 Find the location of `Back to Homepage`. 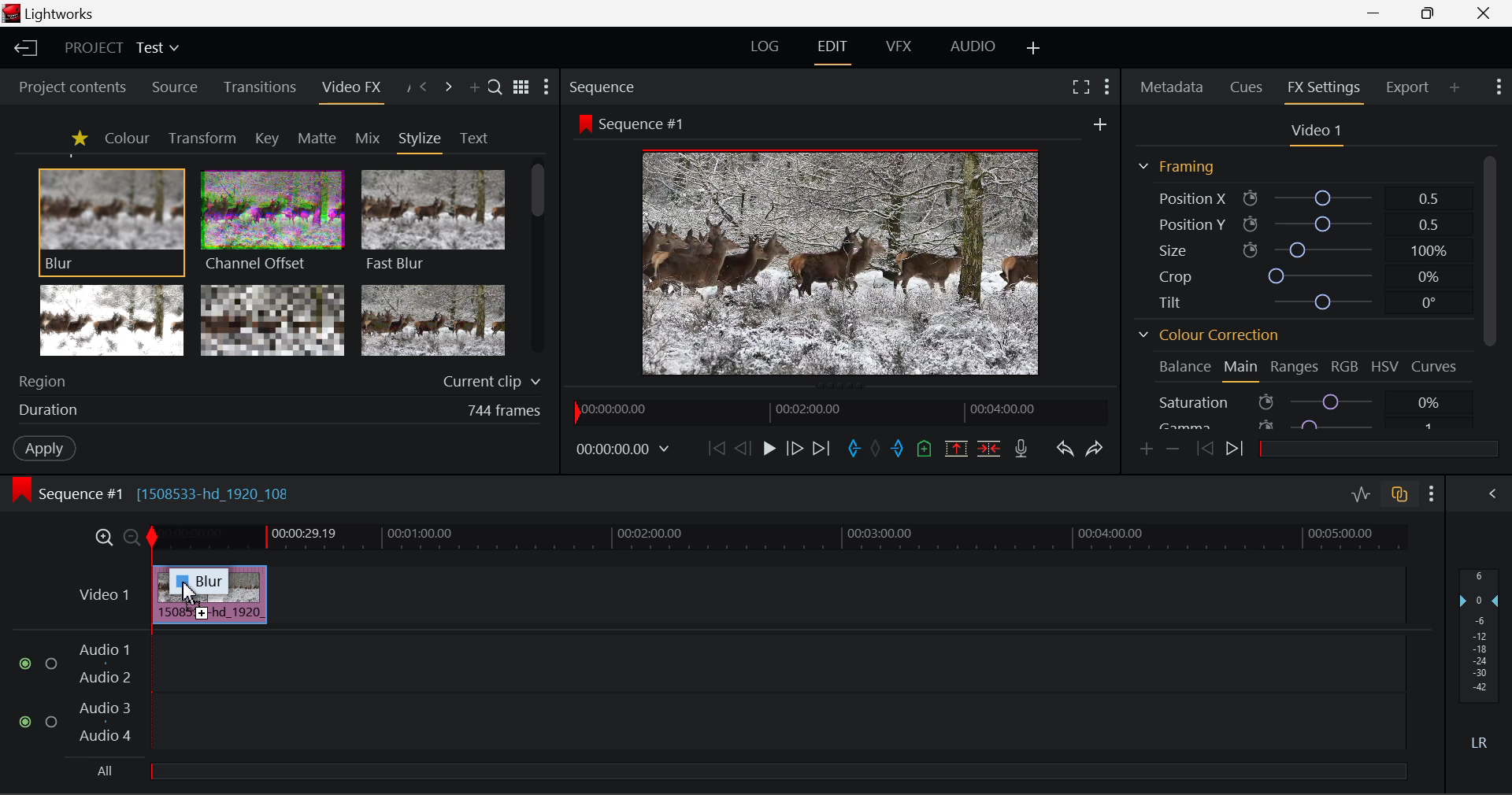

Back to Homepage is located at coordinates (23, 49).